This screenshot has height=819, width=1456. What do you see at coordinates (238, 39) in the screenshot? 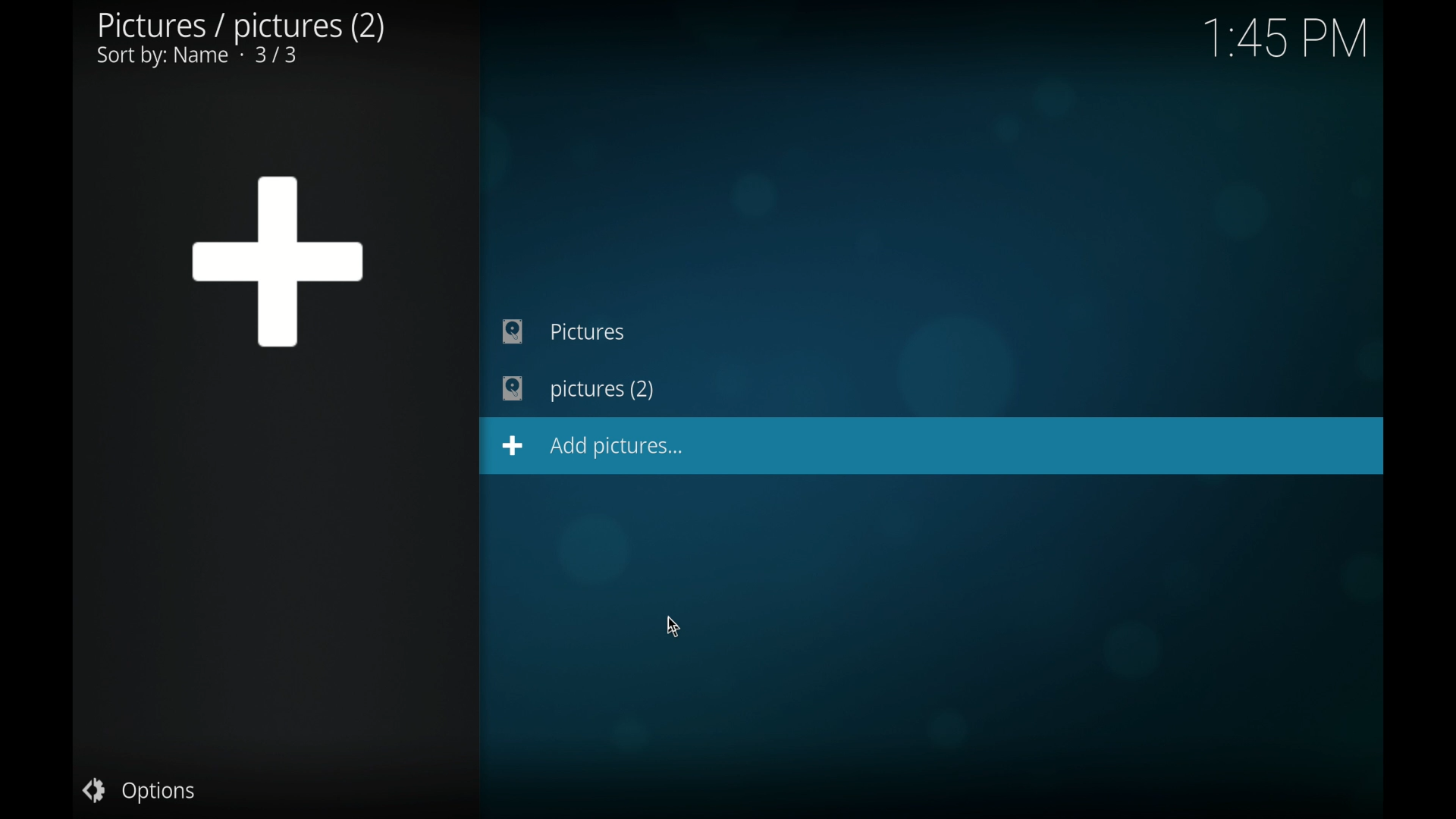
I see `pictures` at bounding box center [238, 39].